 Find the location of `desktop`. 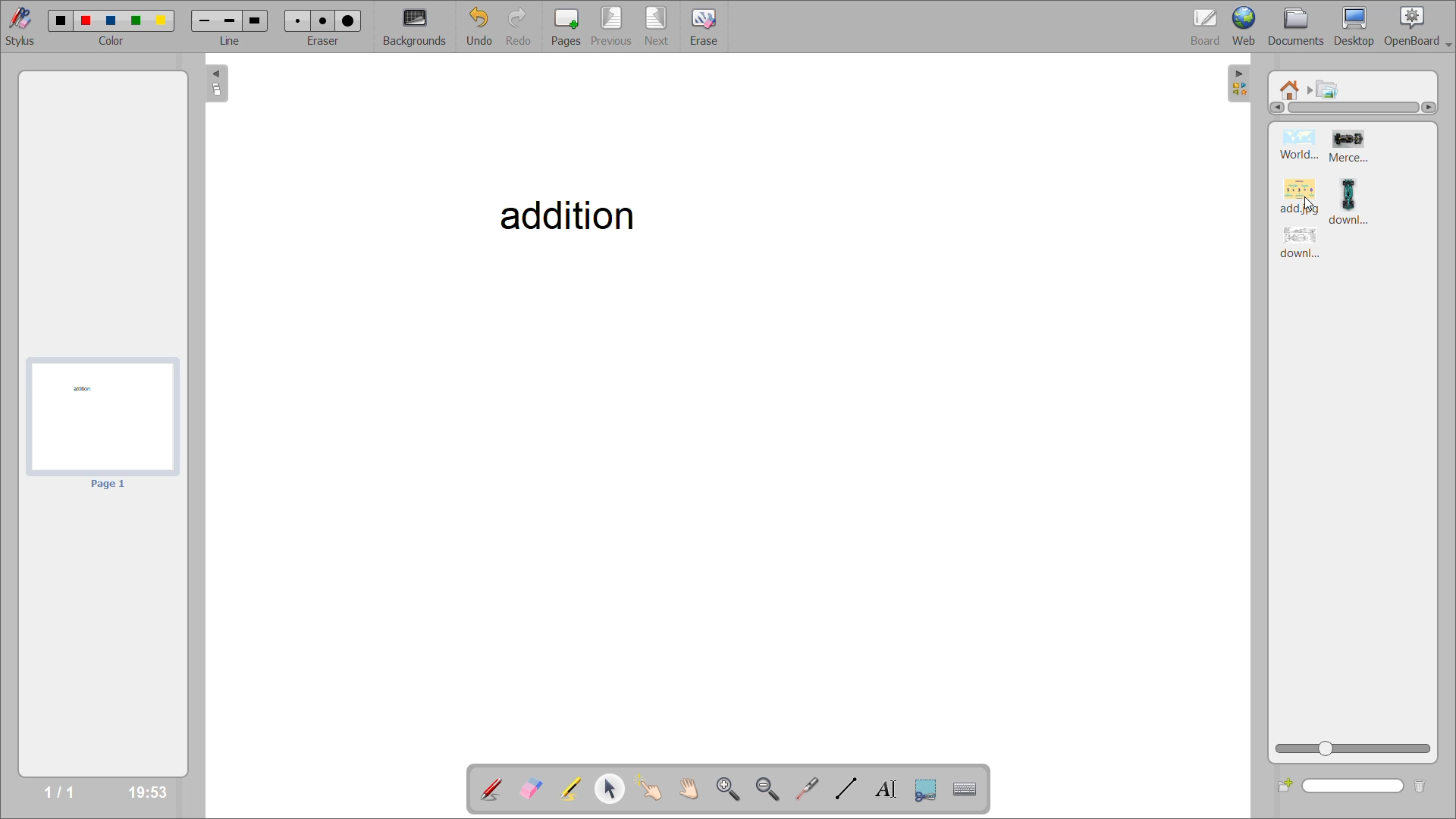

desktop is located at coordinates (1359, 27).